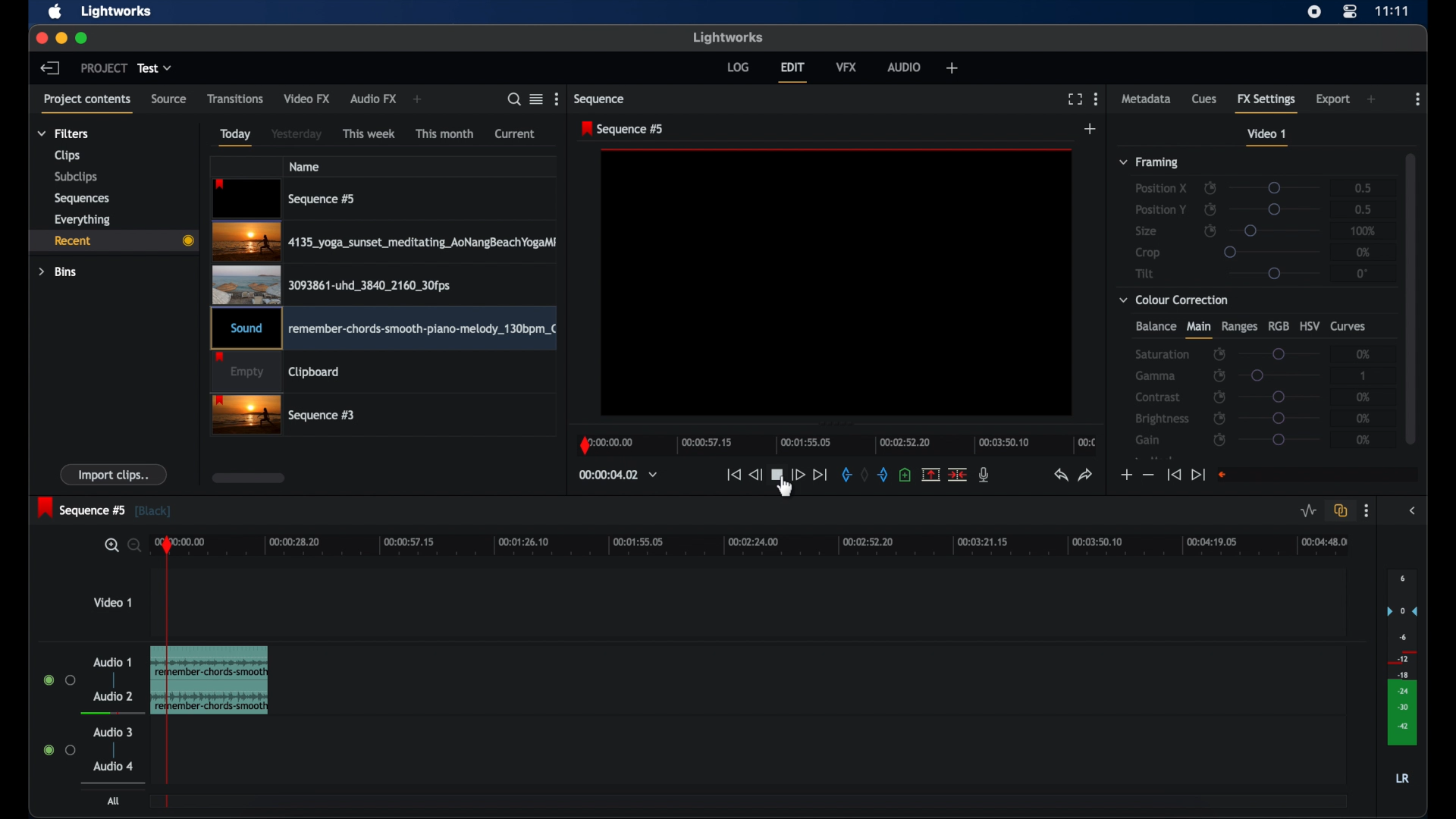 This screenshot has height=819, width=1456. What do you see at coordinates (793, 73) in the screenshot?
I see `edit` at bounding box center [793, 73].